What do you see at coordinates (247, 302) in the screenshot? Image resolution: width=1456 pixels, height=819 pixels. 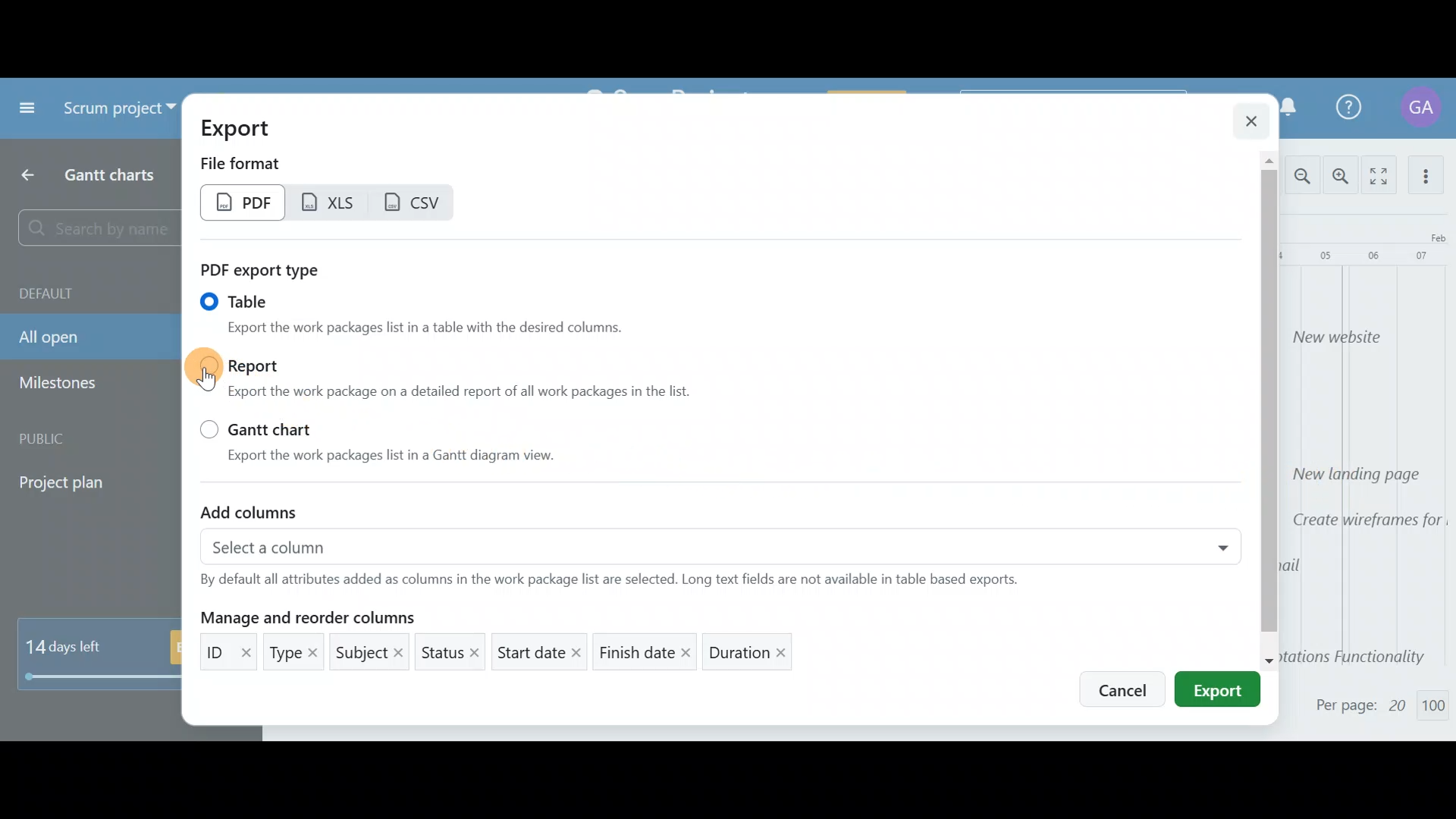 I see `Table` at bounding box center [247, 302].